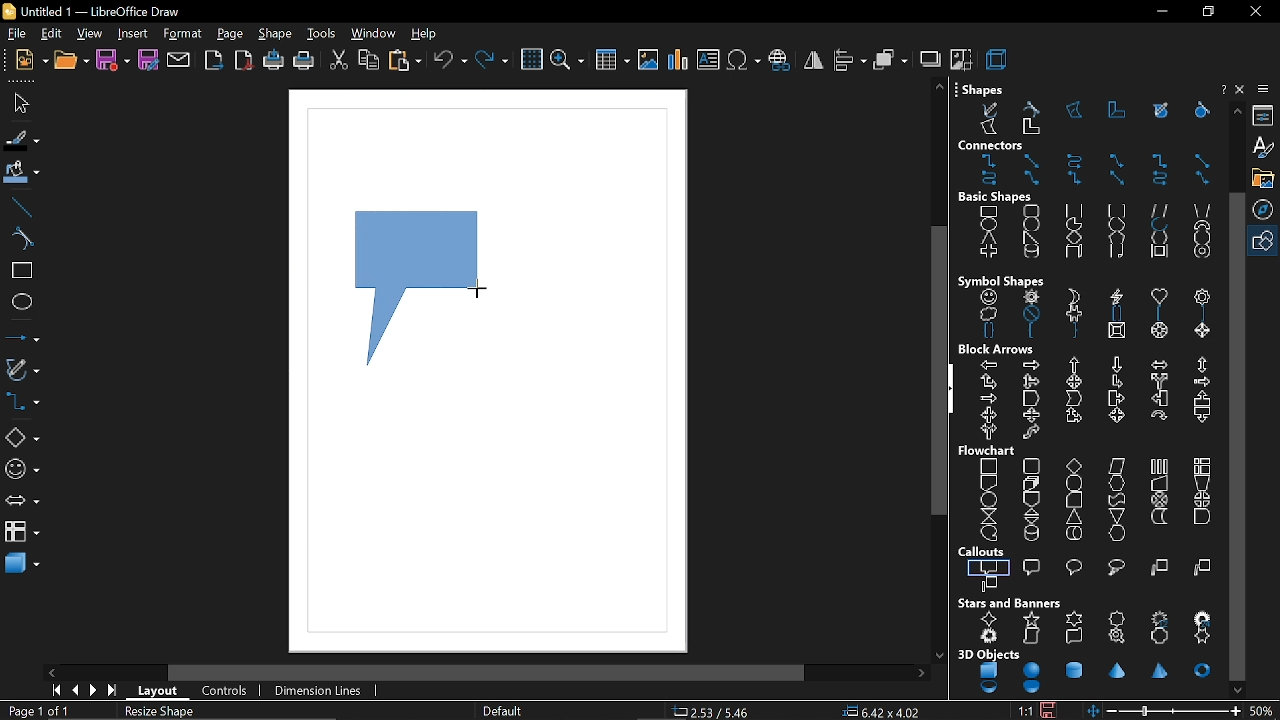 This screenshot has height=720, width=1280. I want to click on trapezoid, so click(1203, 208).